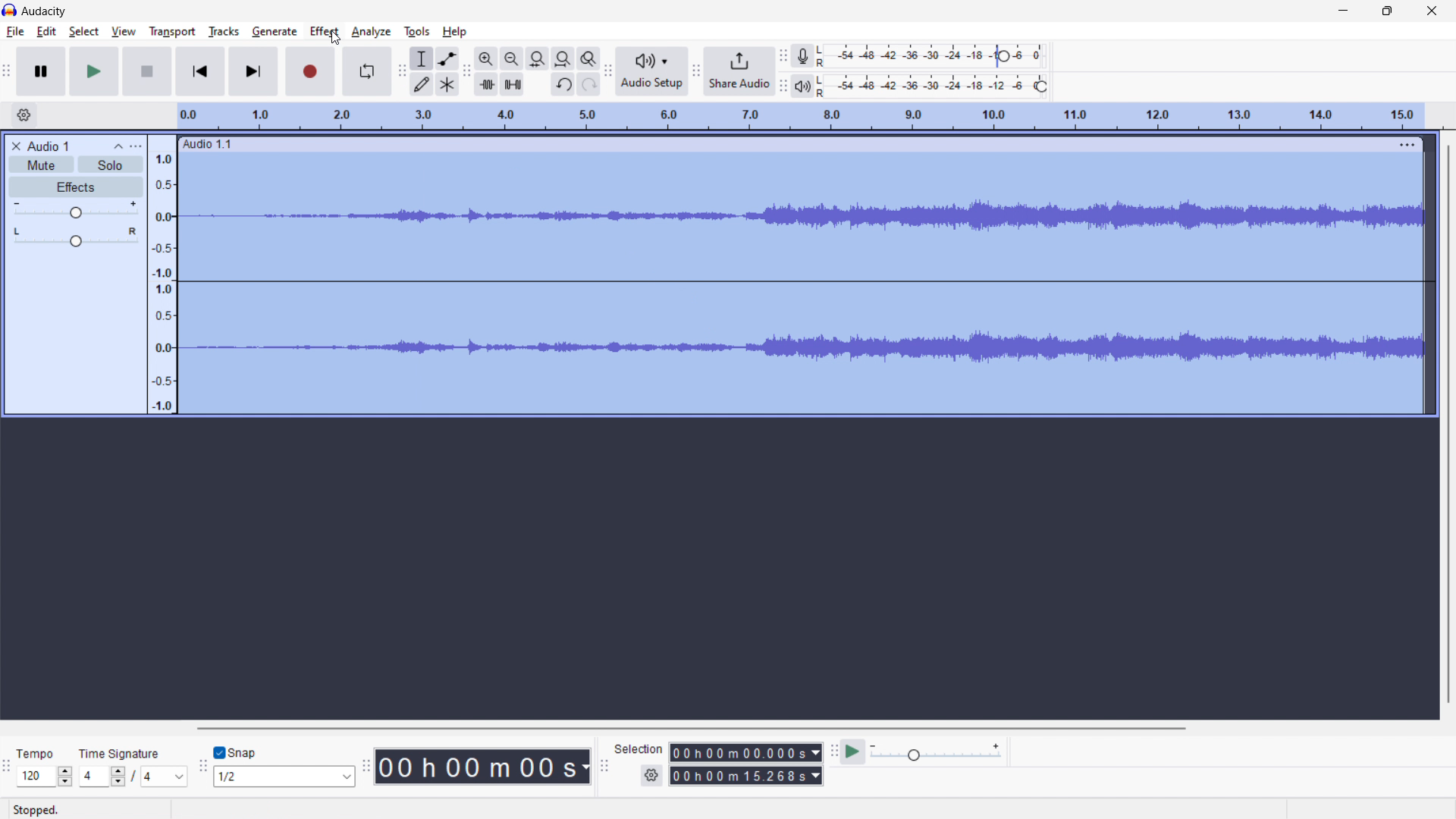  Describe the element at coordinates (937, 86) in the screenshot. I see `playback meter` at that location.